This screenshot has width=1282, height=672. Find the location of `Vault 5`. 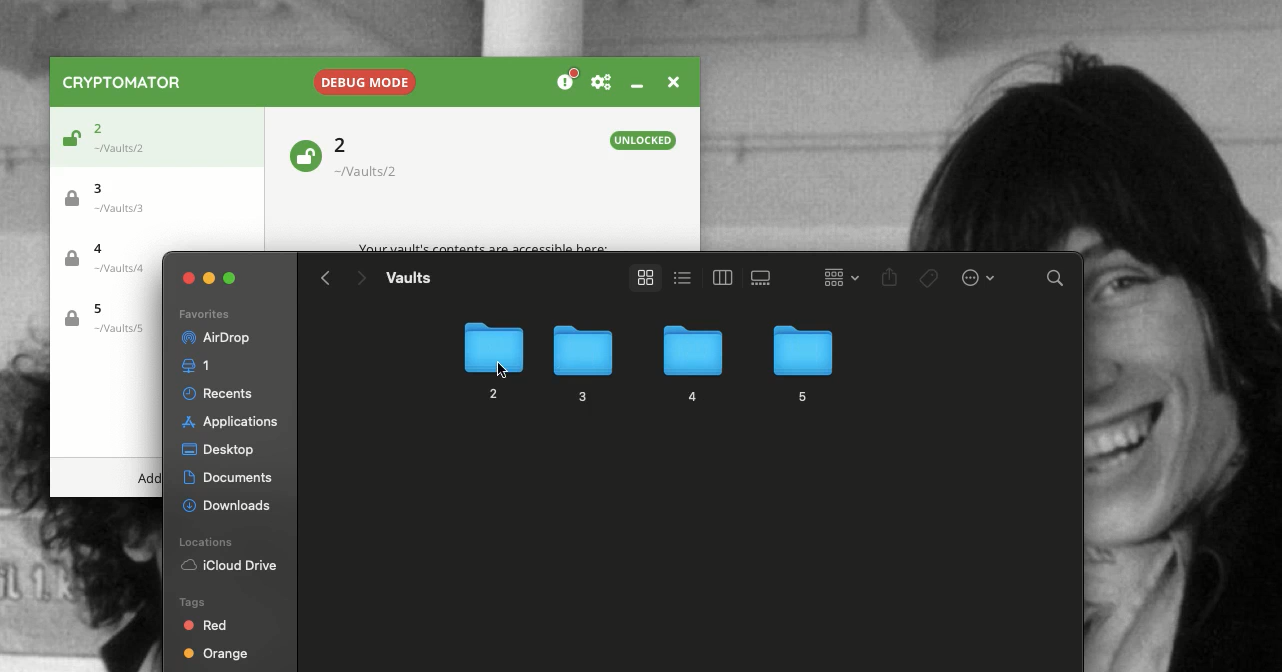

Vault 5 is located at coordinates (104, 319).